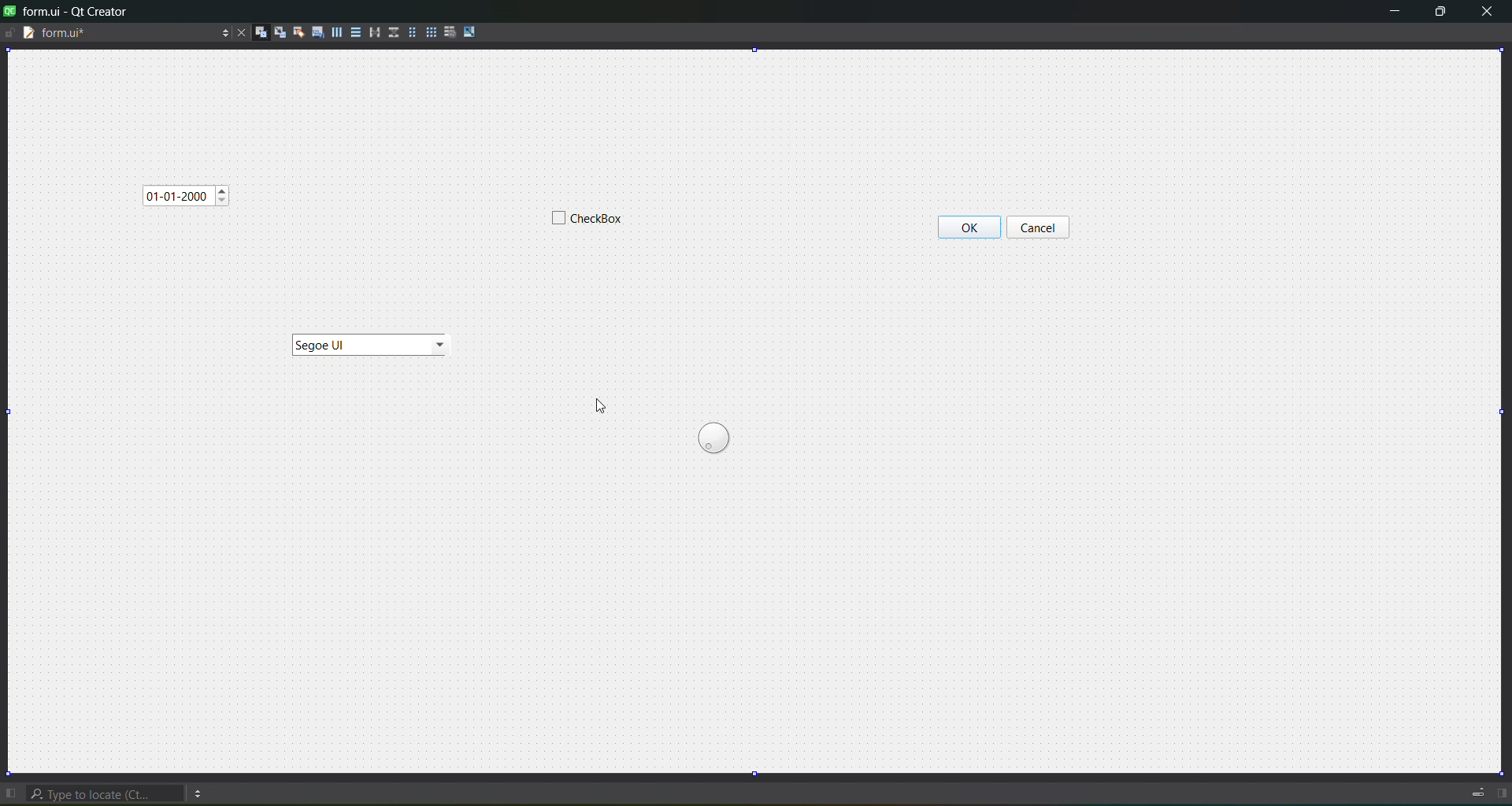 The image size is (1512, 806). Describe the element at coordinates (601, 409) in the screenshot. I see `cursor` at that location.